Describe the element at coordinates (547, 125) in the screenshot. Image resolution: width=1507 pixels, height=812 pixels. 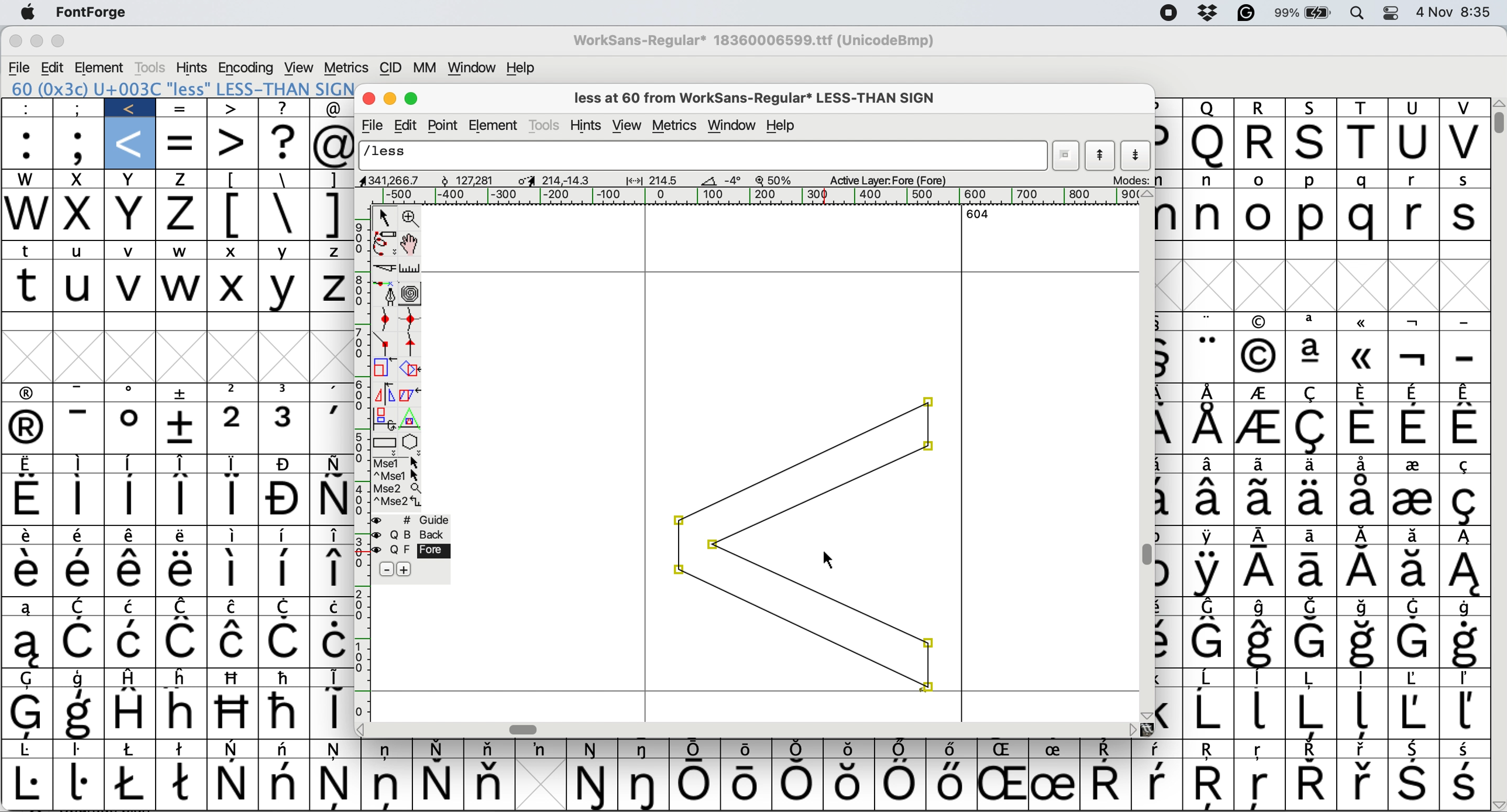
I see `tools` at that location.